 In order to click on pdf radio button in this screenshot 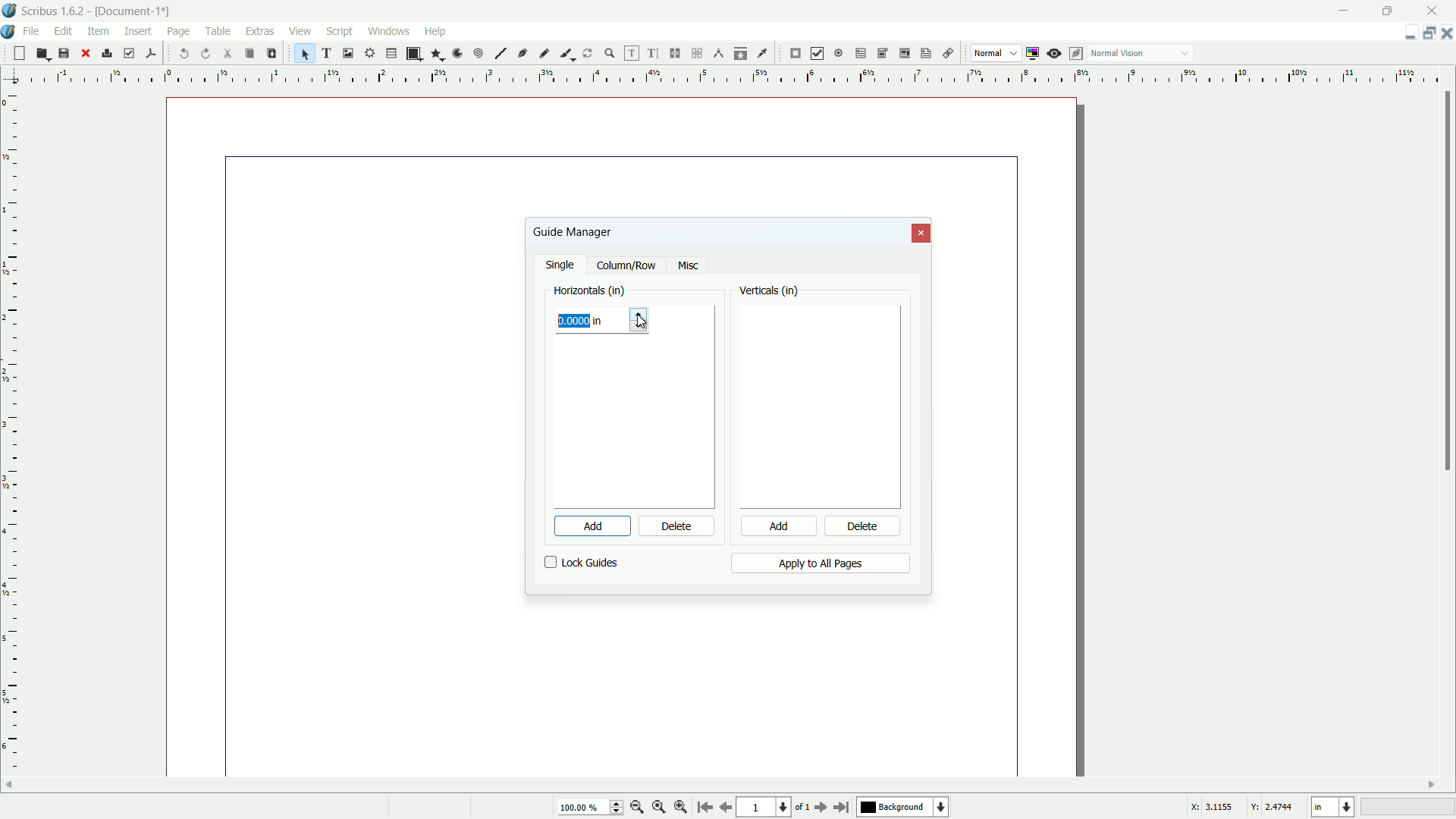, I will do `click(837, 54)`.